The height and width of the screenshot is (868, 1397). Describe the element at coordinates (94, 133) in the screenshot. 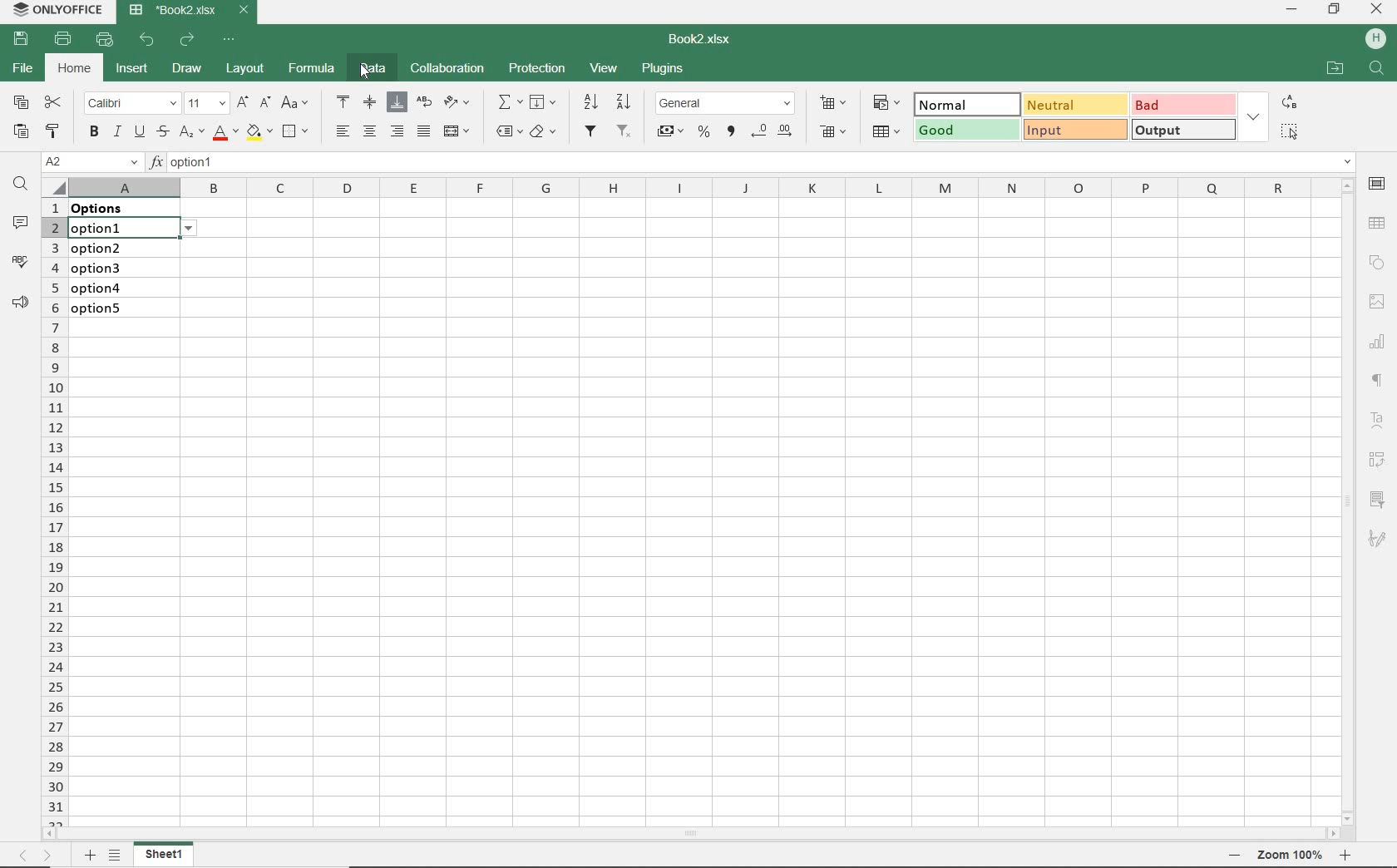

I see `BOLD` at that location.